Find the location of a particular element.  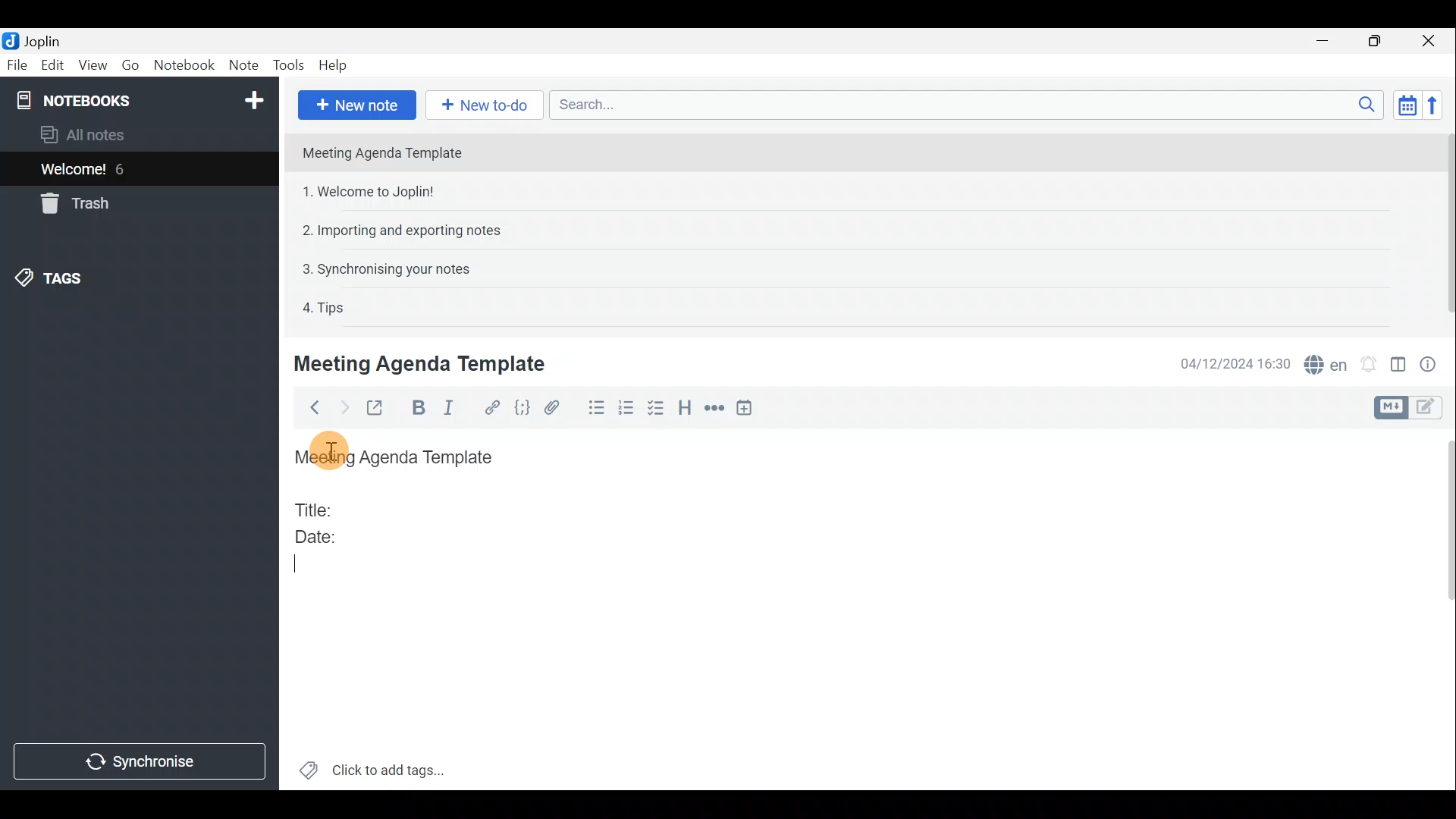

Code is located at coordinates (524, 409).